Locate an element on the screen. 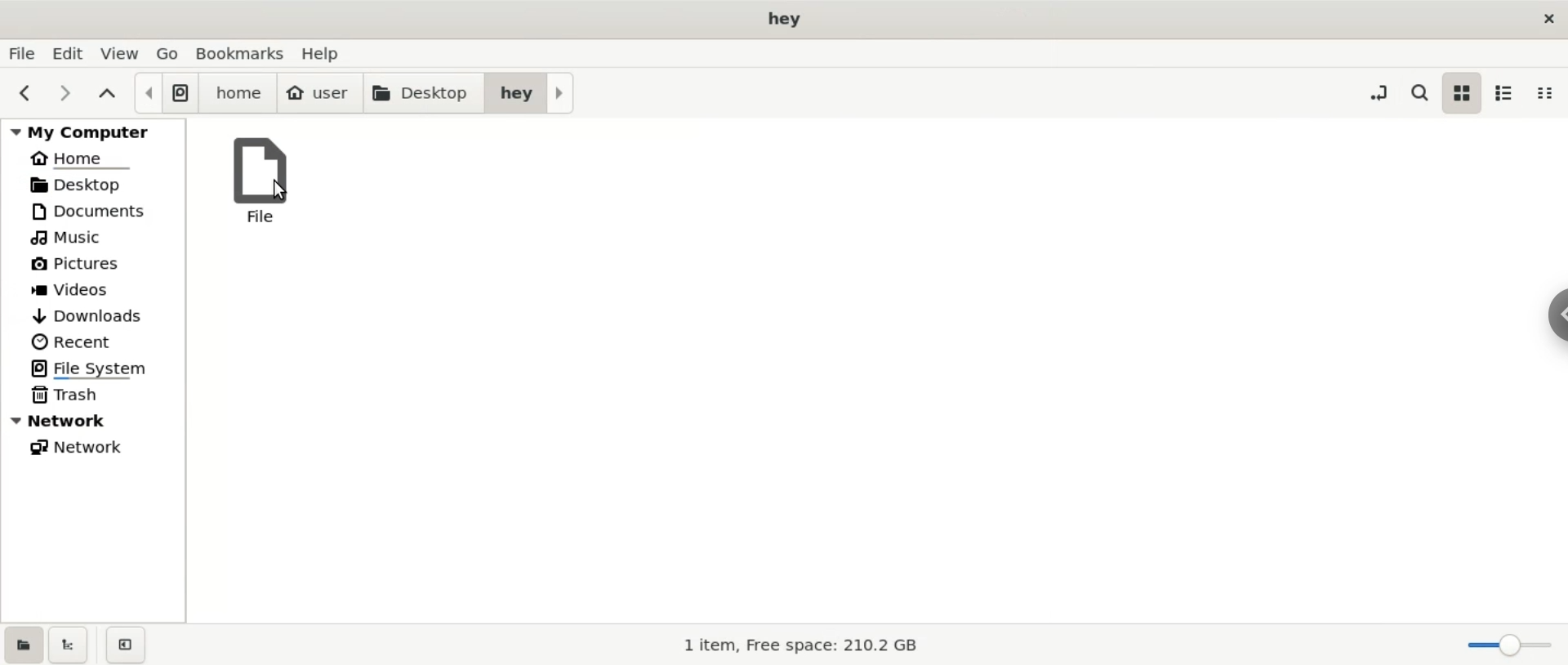  file is located at coordinates (256, 177).